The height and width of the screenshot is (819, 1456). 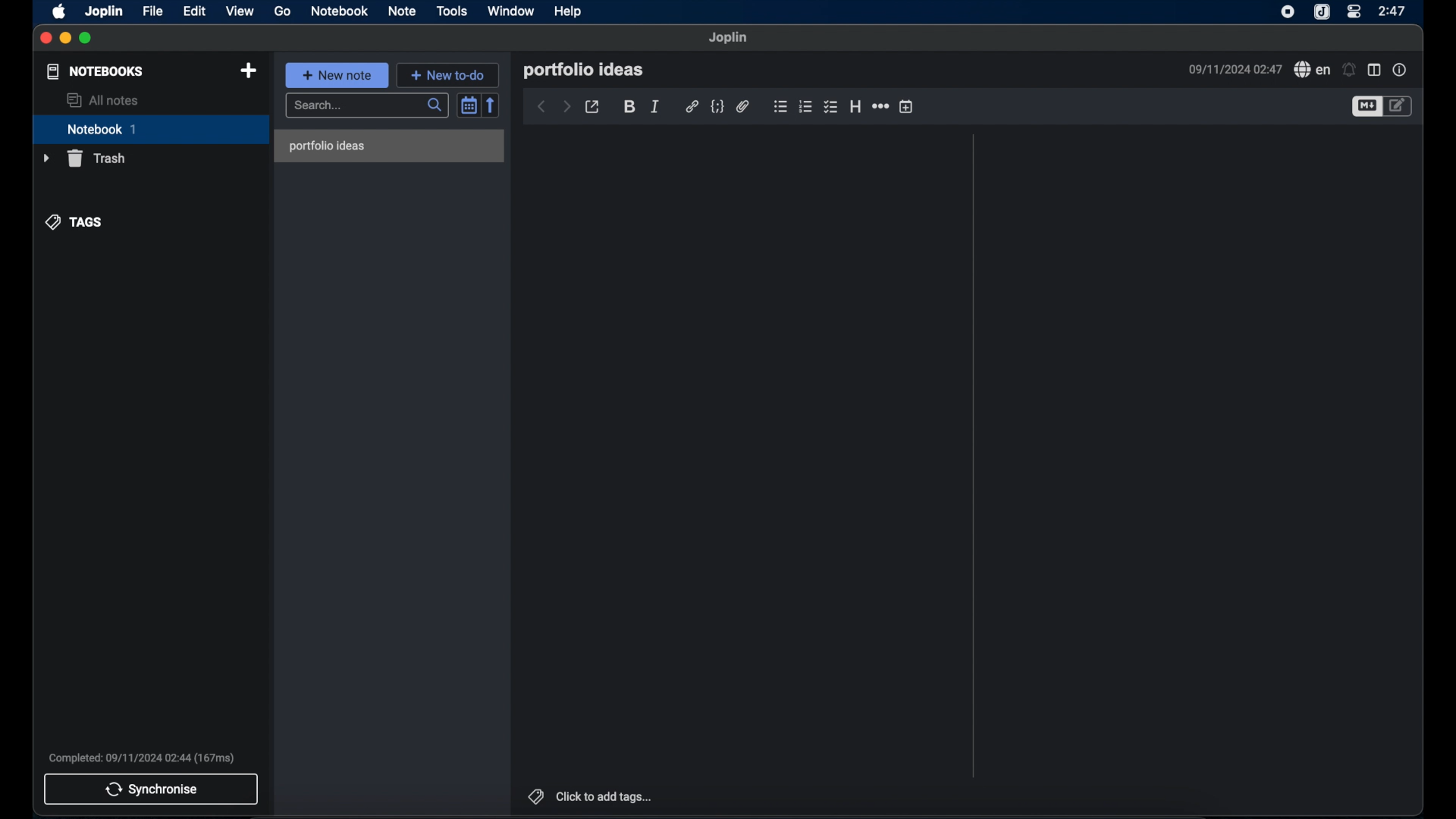 What do you see at coordinates (401, 11) in the screenshot?
I see `note` at bounding box center [401, 11].